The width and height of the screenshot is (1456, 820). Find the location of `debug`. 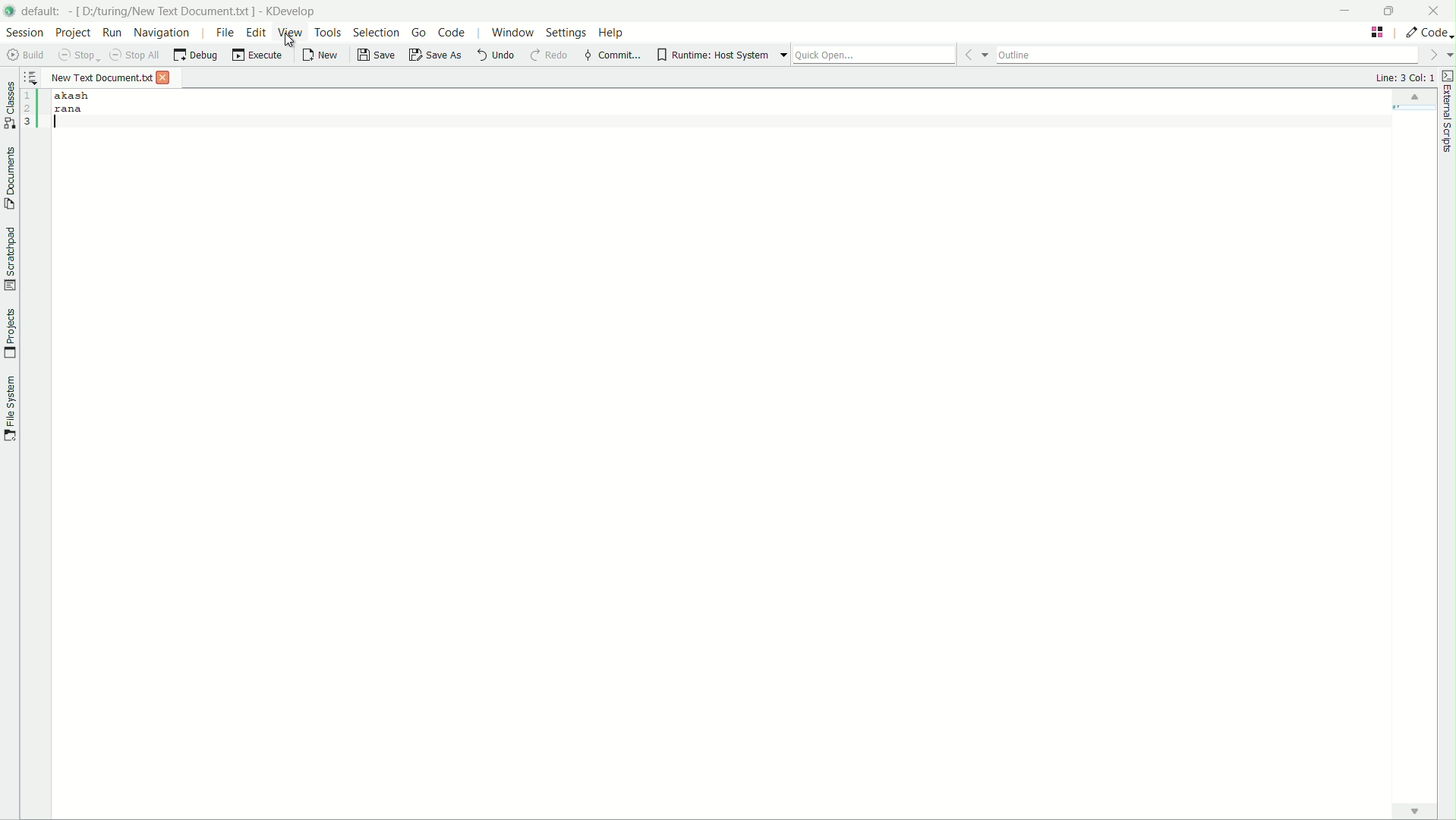

debug is located at coordinates (195, 55).